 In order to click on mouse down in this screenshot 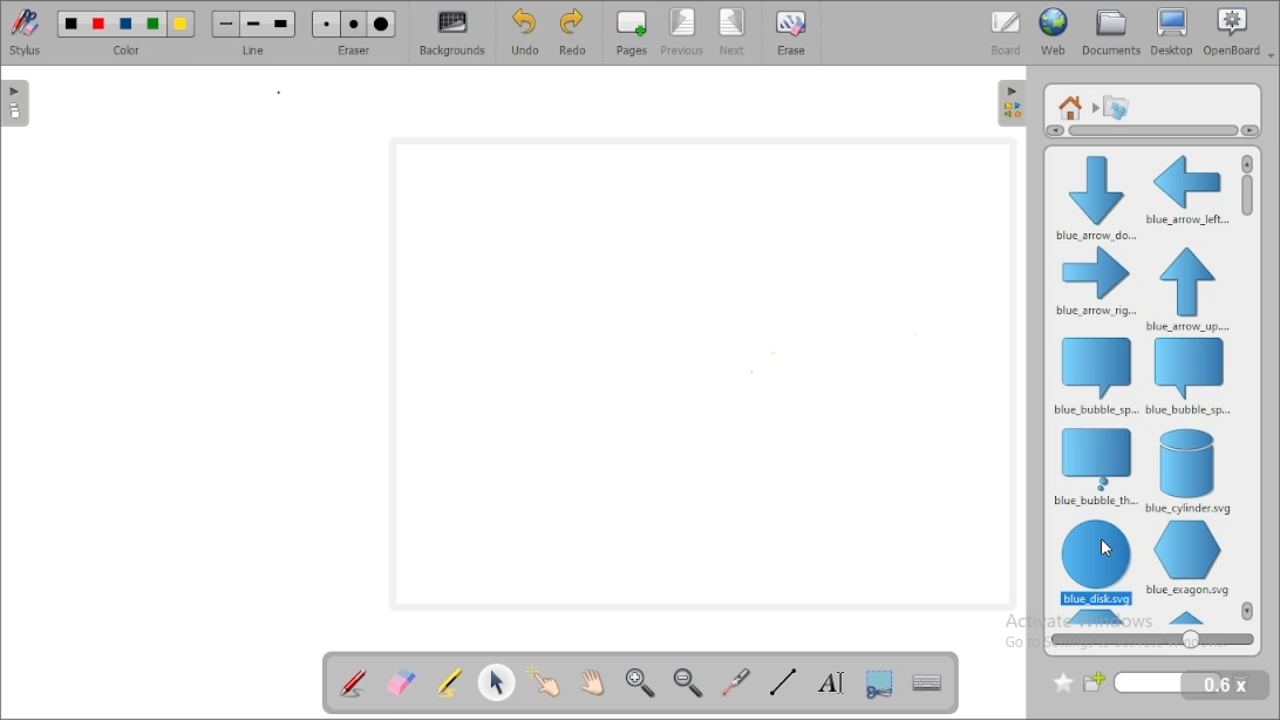, I will do `click(1103, 550)`.